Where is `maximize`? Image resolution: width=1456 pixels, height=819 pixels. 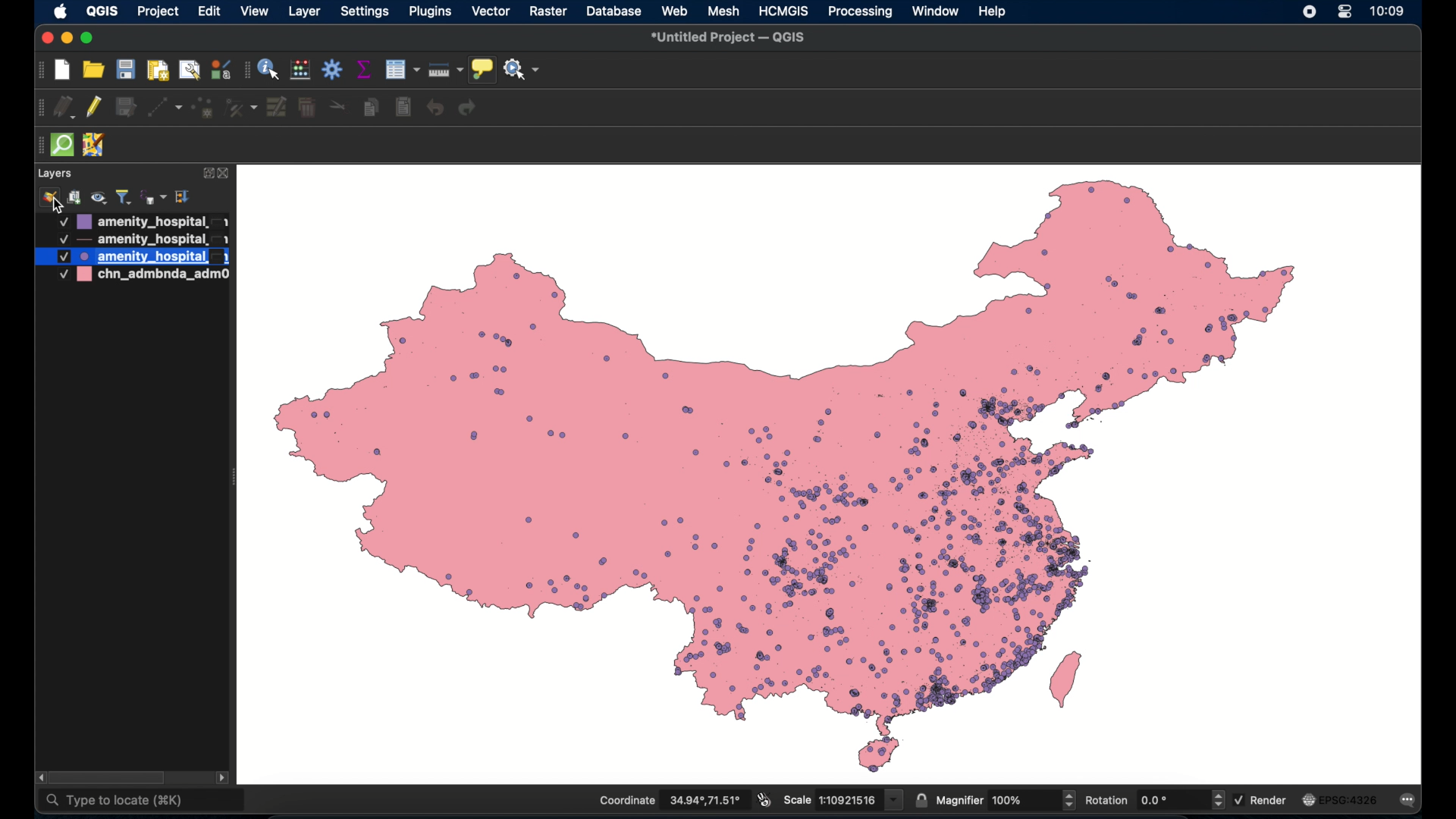
maximize is located at coordinates (90, 39).